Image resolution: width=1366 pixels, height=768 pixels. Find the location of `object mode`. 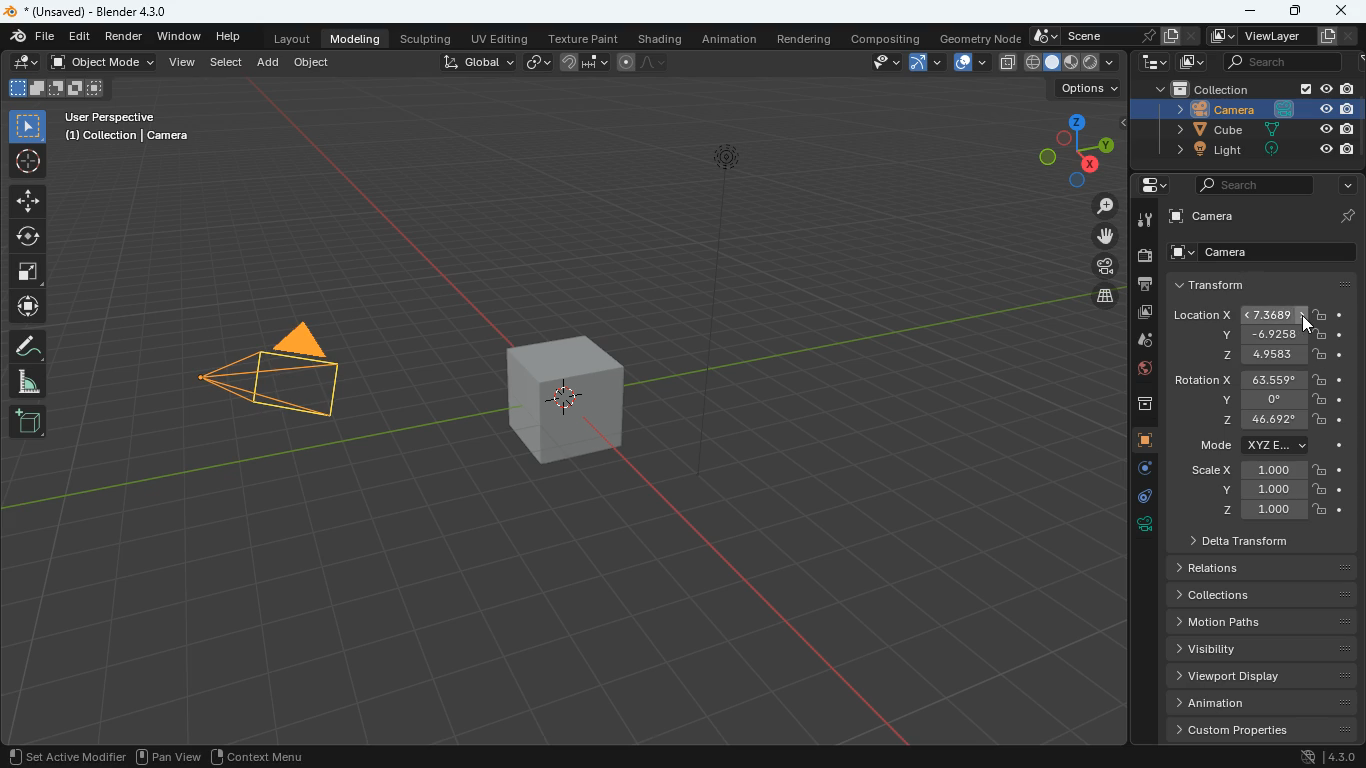

object mode is located at coordinates (103, 63).